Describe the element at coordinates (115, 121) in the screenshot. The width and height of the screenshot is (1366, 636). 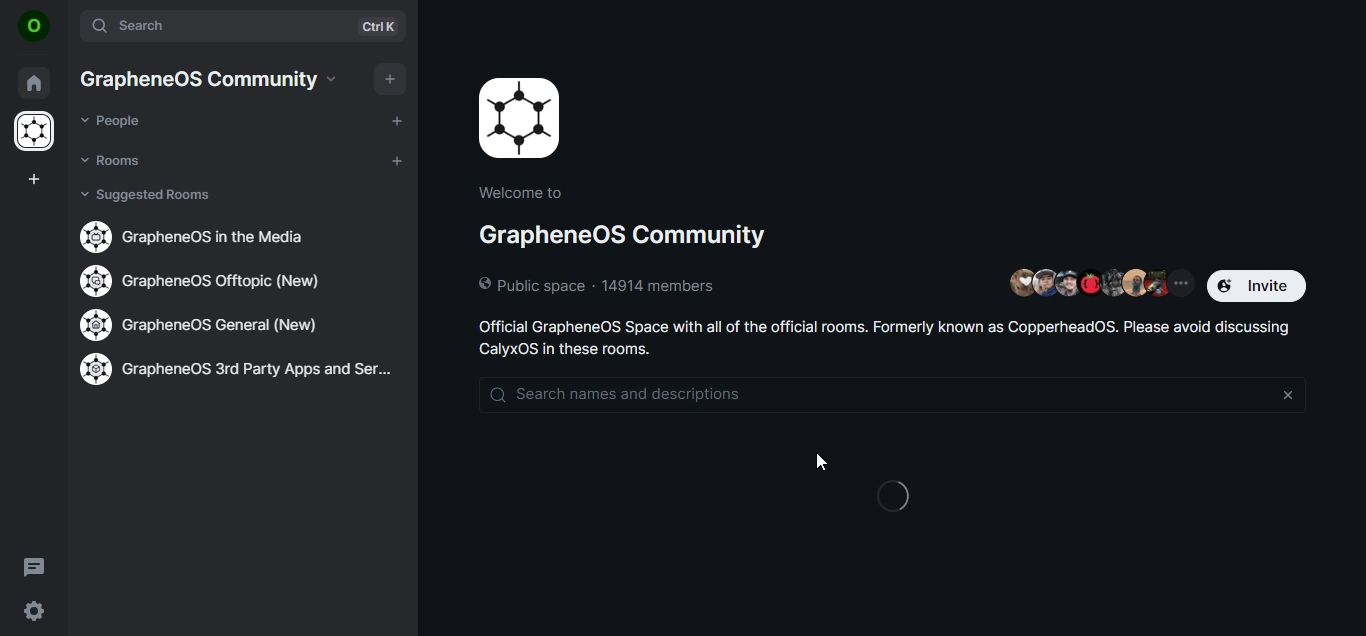
I see `people` at that location.